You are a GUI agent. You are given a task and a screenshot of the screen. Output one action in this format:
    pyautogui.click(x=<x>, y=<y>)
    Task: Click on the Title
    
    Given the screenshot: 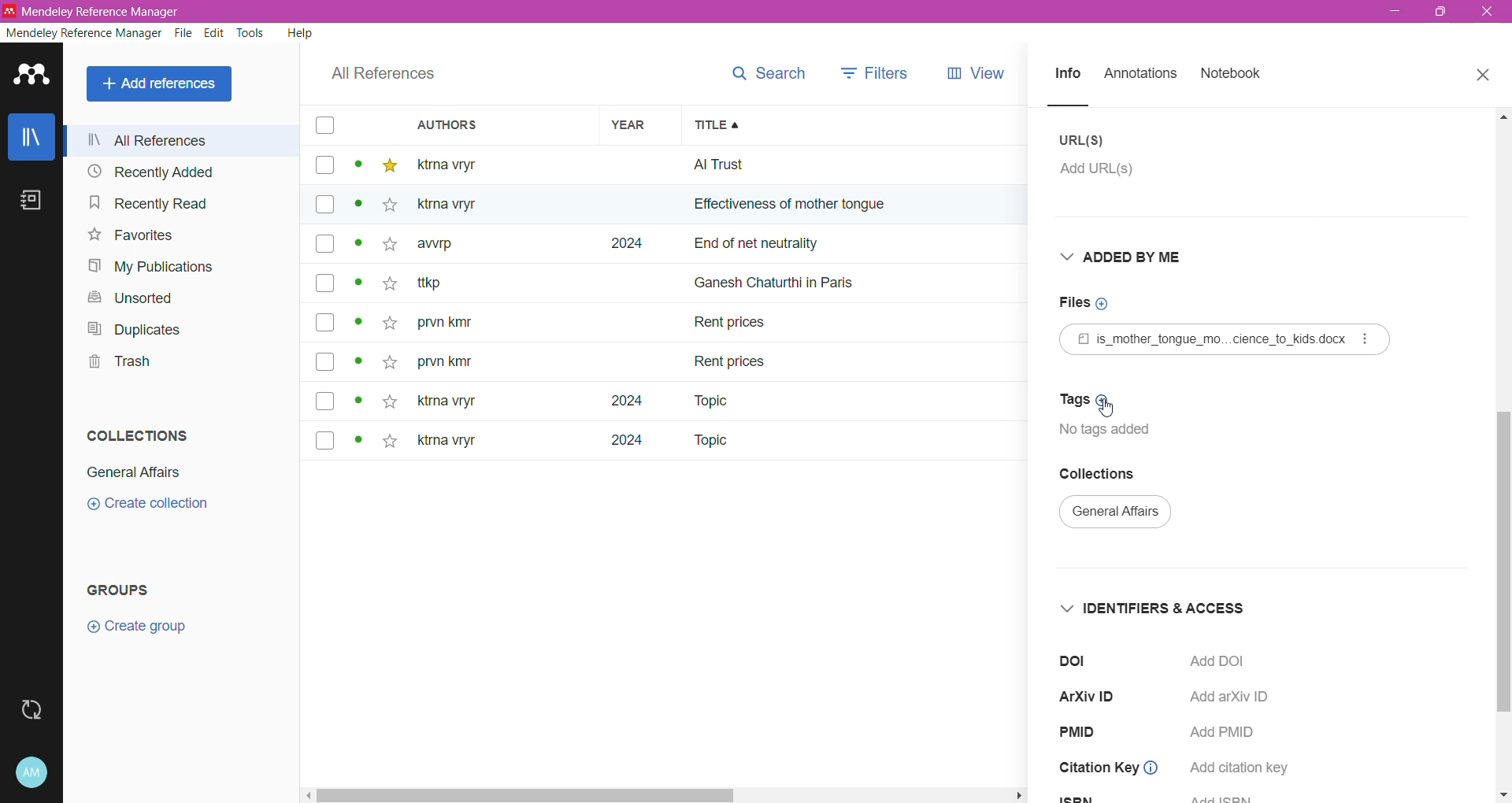 What is the action you would take?
    pyautogui.click(x=863, y=125)
    